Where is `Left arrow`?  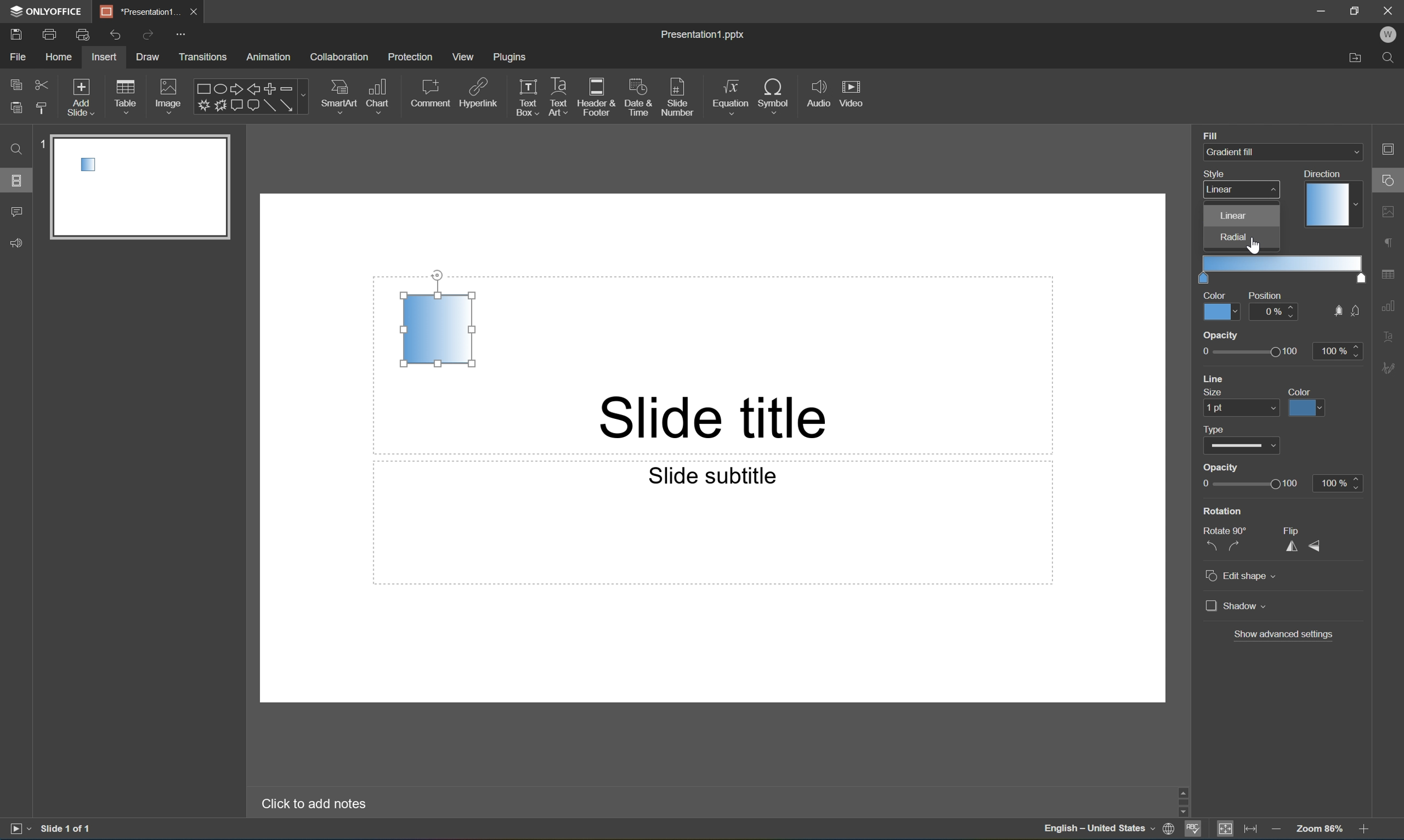
Left arrow is located at coordinates (254, 90).